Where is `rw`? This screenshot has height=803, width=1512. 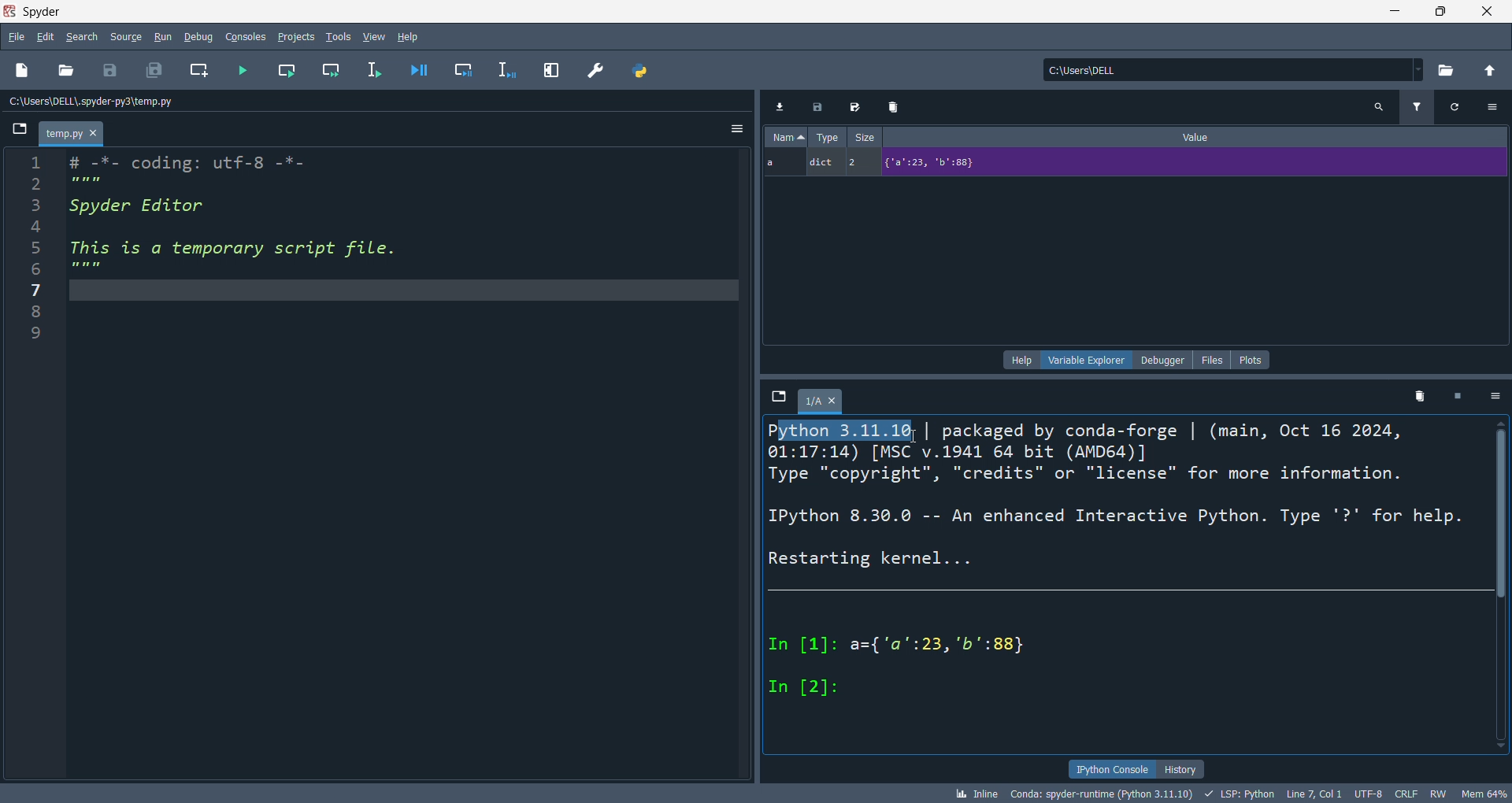 rw is located at coordinates (1437, 793).